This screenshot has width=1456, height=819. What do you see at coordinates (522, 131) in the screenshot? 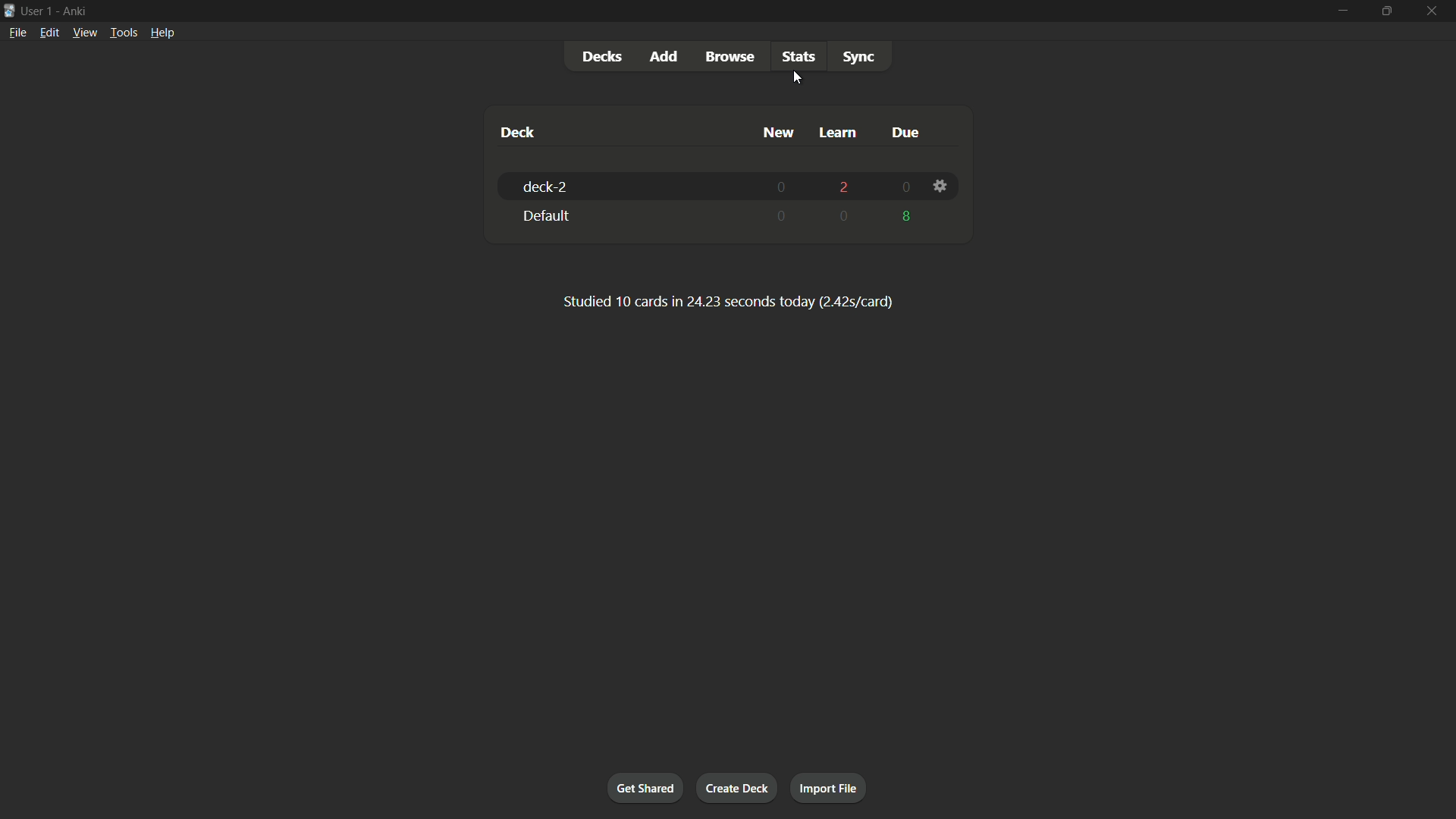
I see `Deck` at bounding box center [522, 131].